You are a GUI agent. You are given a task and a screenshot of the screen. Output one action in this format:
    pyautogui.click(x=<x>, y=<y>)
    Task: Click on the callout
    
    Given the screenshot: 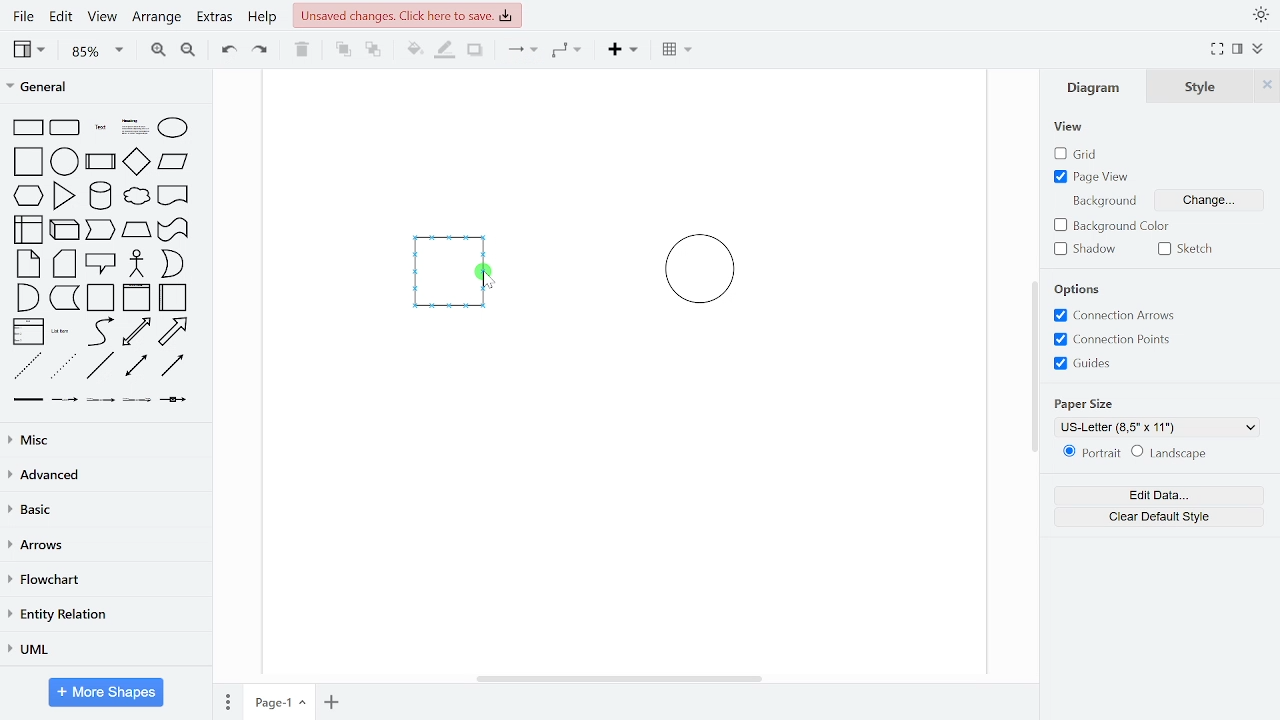 What is the action you would take?
    pyautogui.click(x=102, y=264)
    